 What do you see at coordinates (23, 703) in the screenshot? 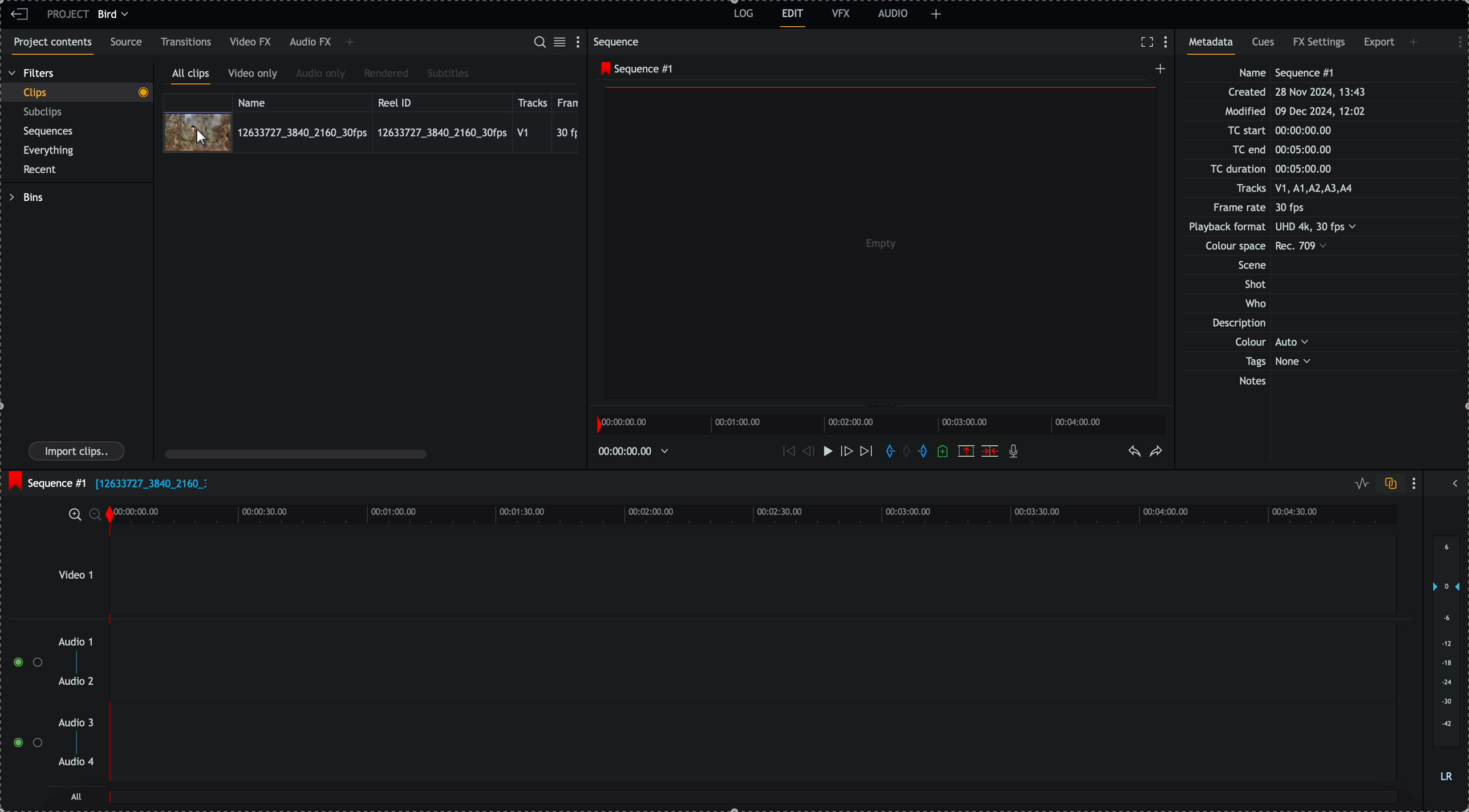
I see `enable tracks` at bounding box center [23, 703].